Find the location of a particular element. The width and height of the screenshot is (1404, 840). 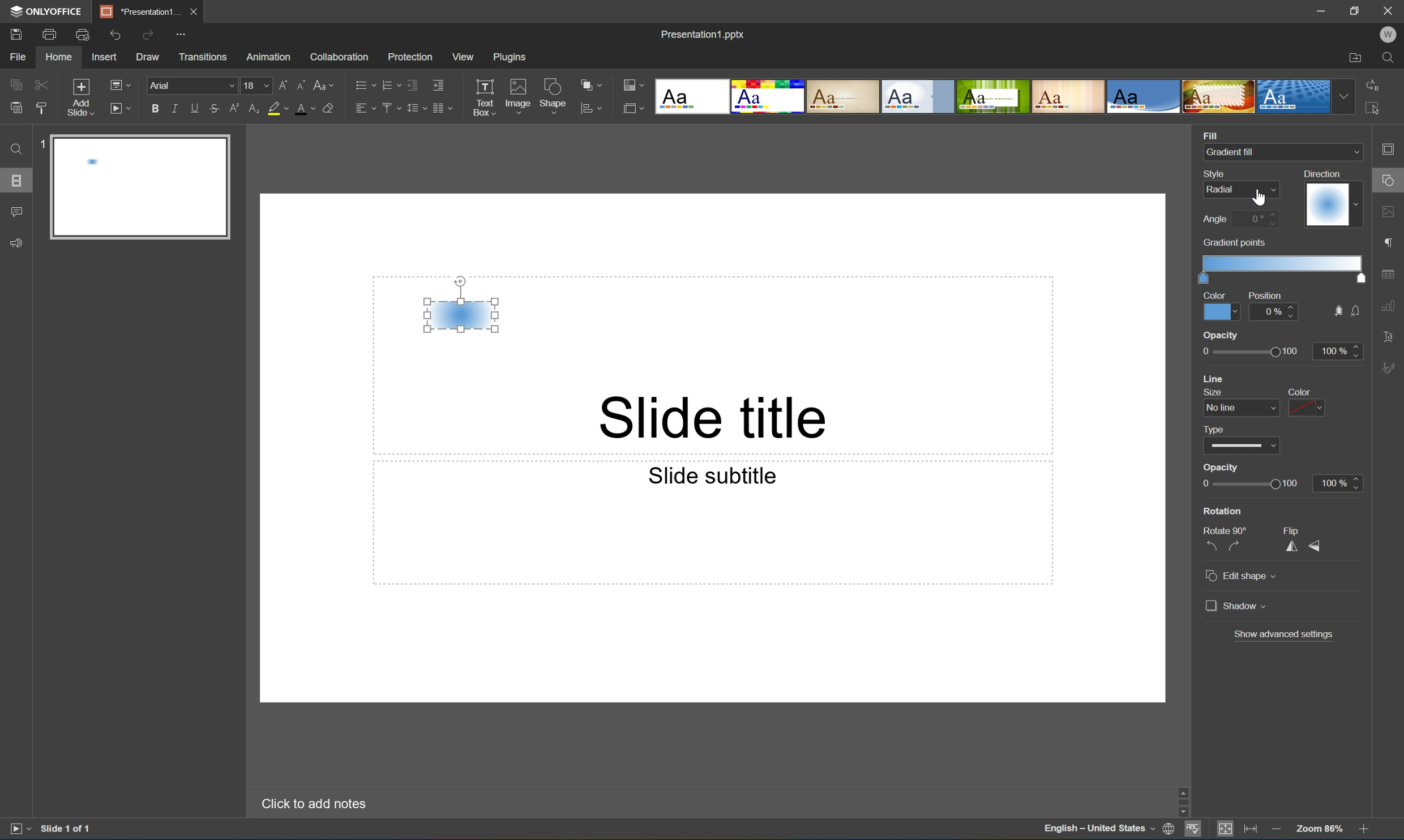

Gradient is located at coordinates (460, 314).